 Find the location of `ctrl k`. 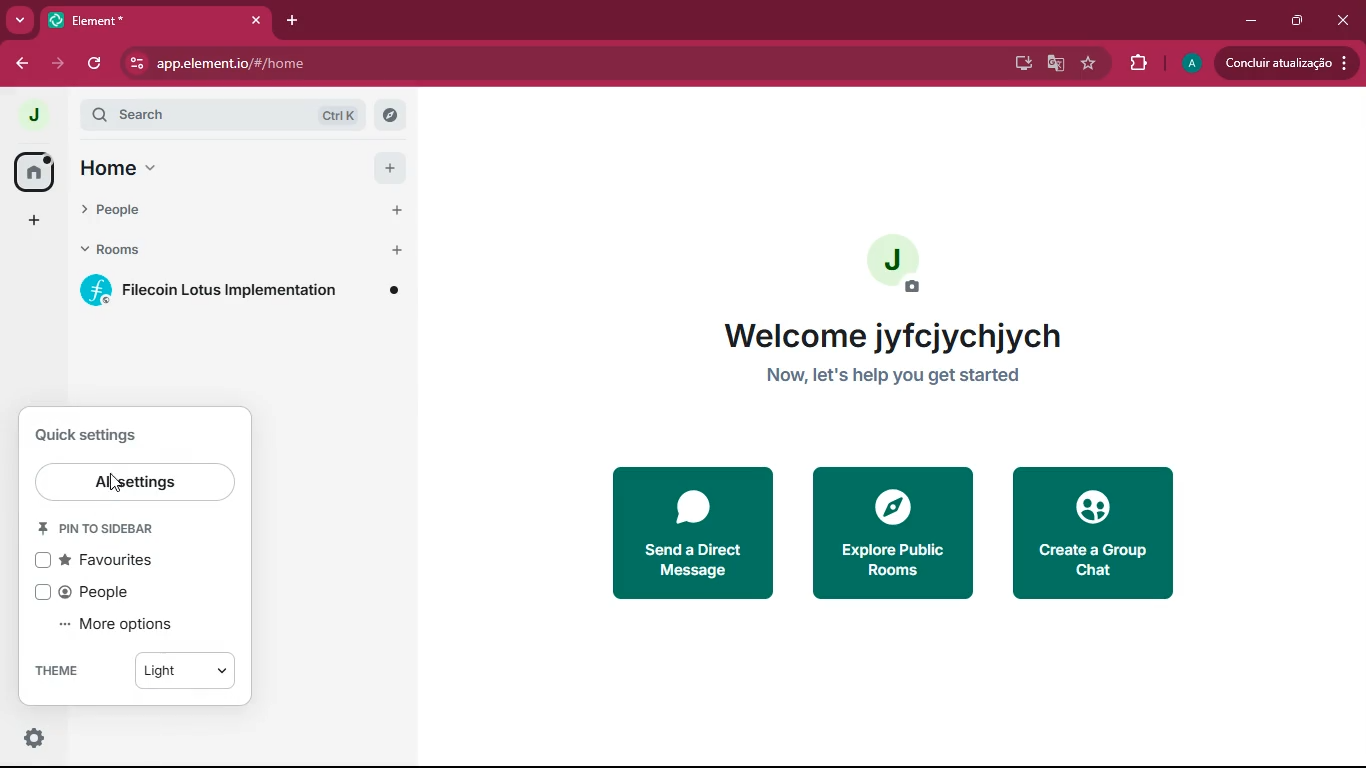

ctrl k is located at coordinates (339, 116).